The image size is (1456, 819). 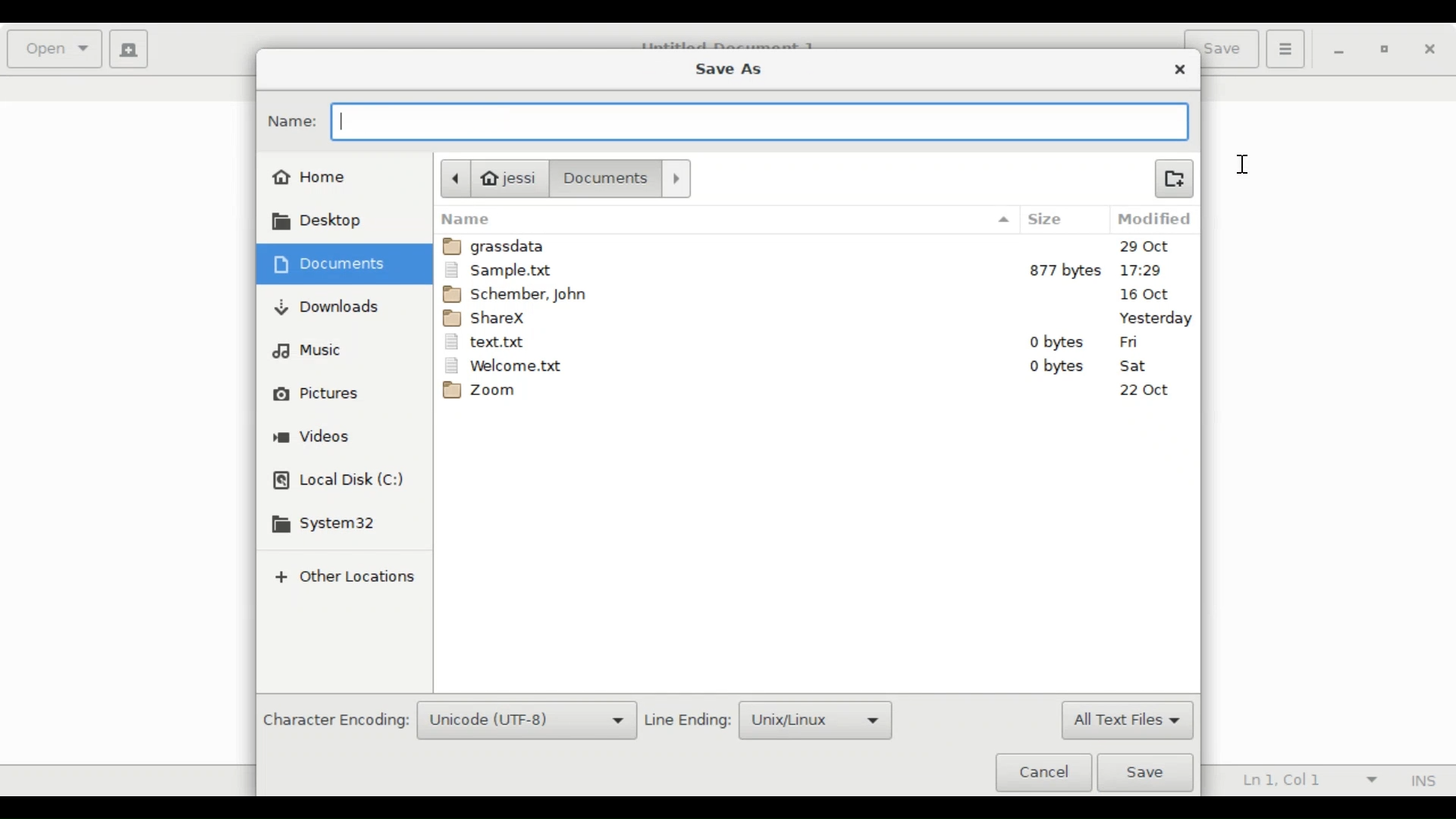 I want to click on Pictures, so click(x=317, y=394).